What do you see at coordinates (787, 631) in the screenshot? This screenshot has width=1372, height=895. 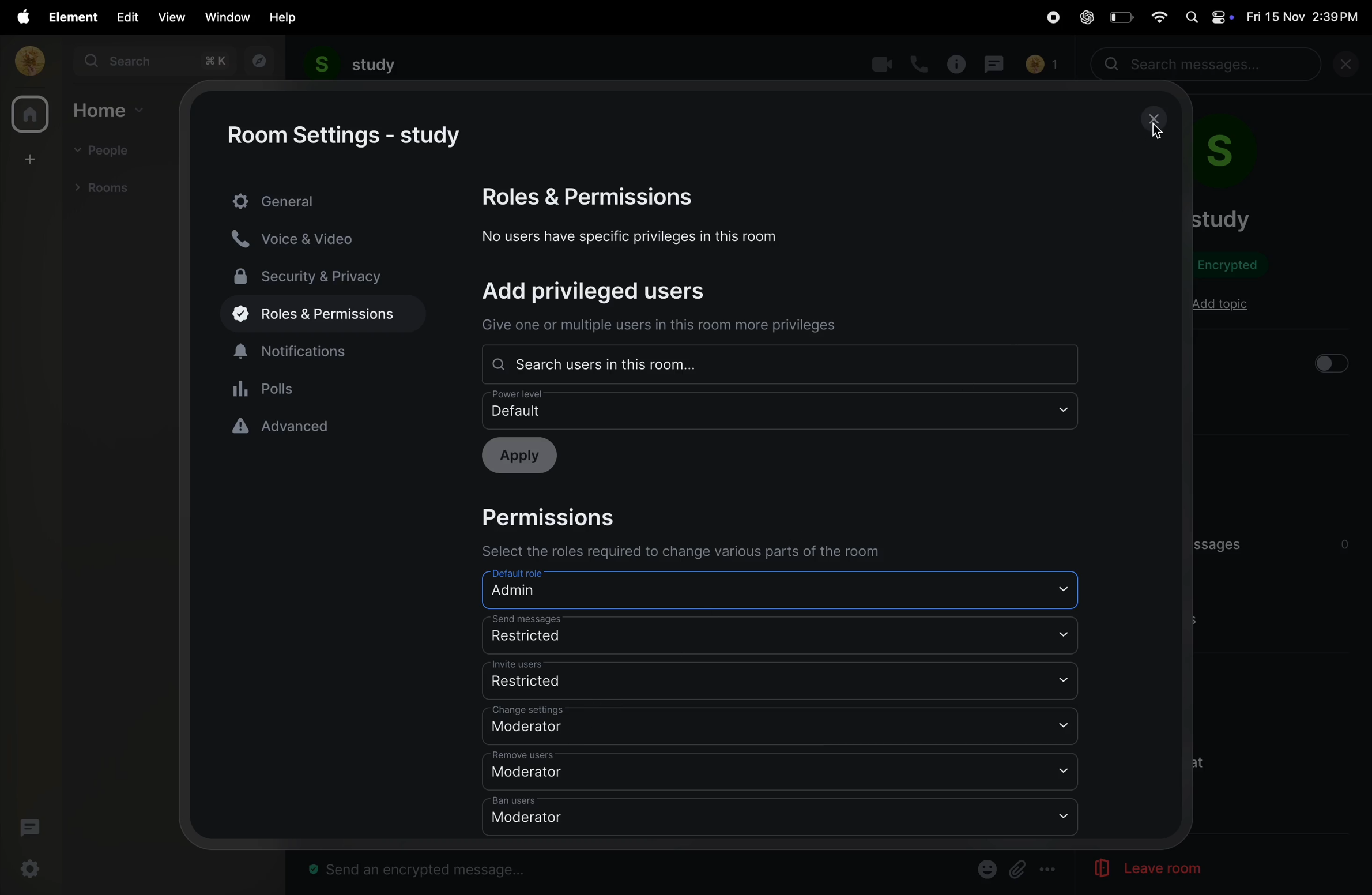 I see `send messages` at bounding box center [787, 631].